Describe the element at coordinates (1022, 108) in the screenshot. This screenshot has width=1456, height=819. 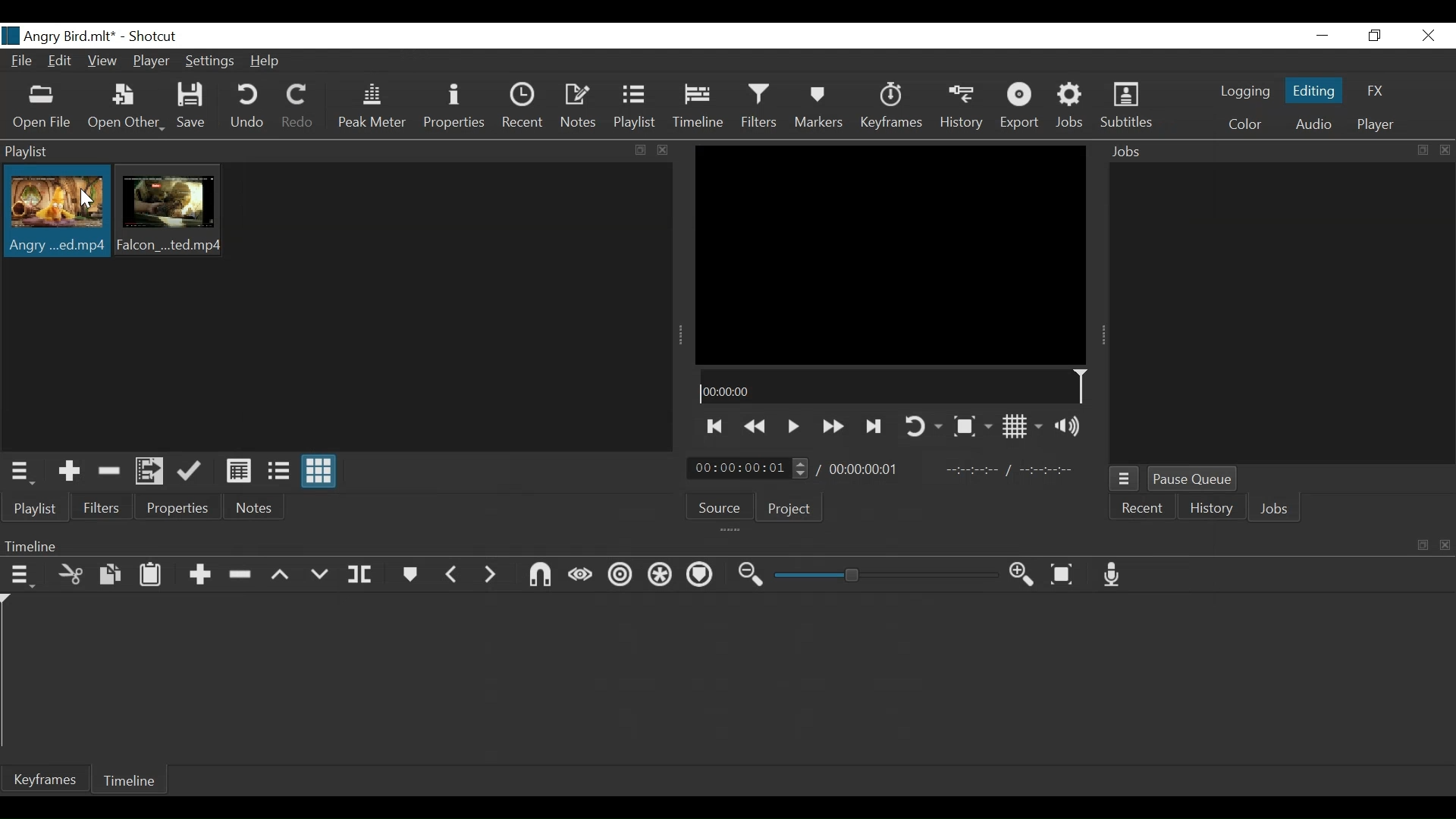
I see `Export` at that location.